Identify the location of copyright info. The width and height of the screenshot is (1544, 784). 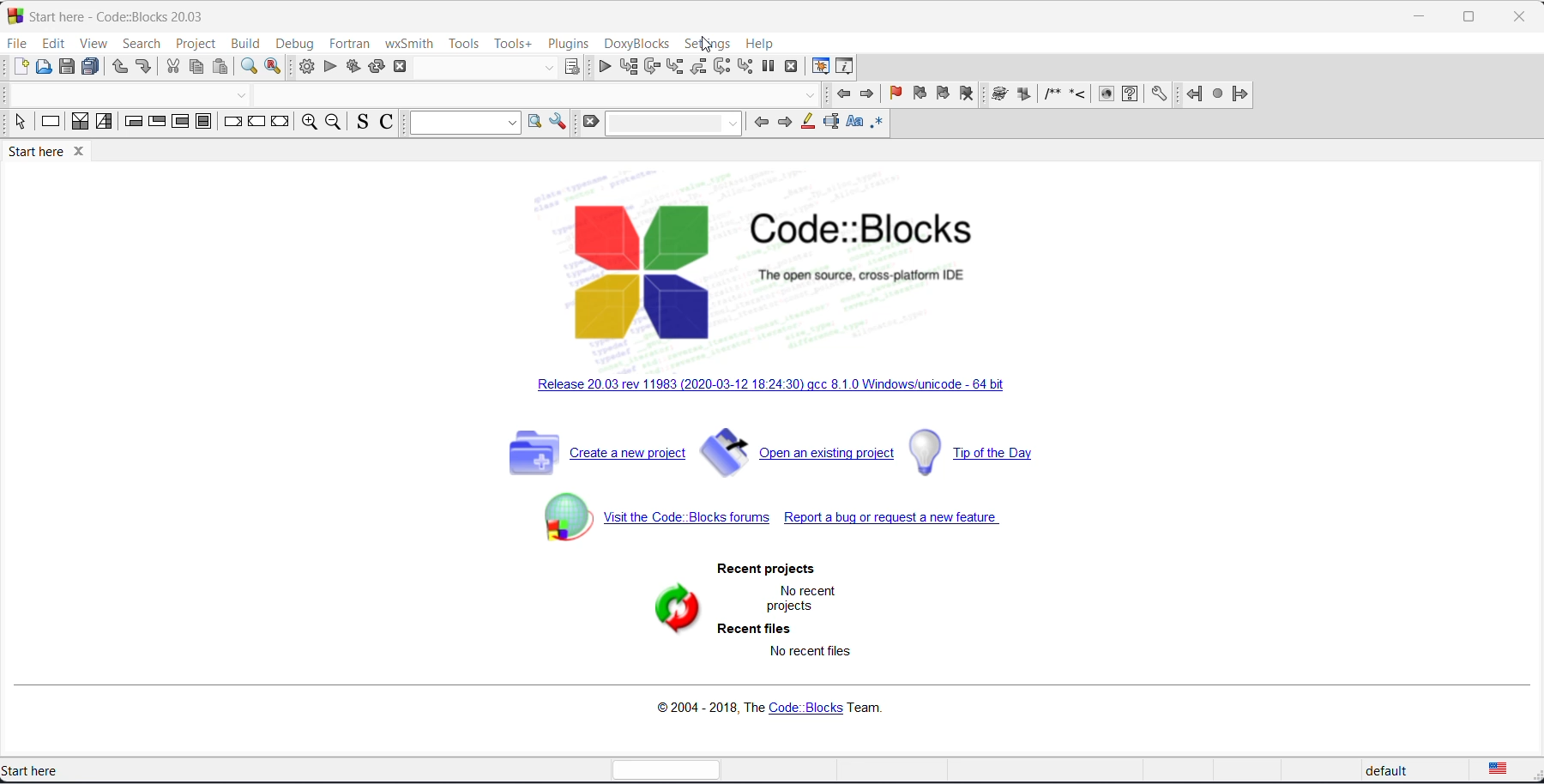
(775, 704).